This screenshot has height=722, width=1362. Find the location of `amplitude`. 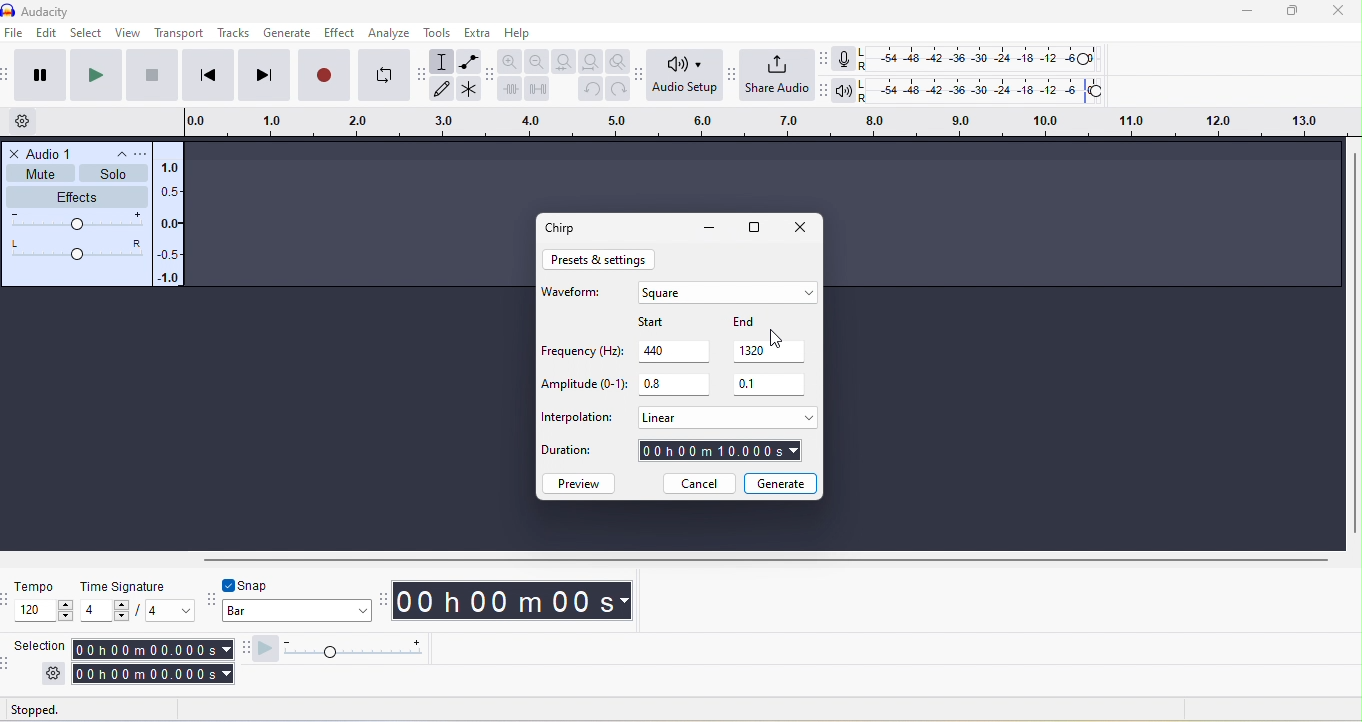

amplitude is located at coordinates (171, 224).